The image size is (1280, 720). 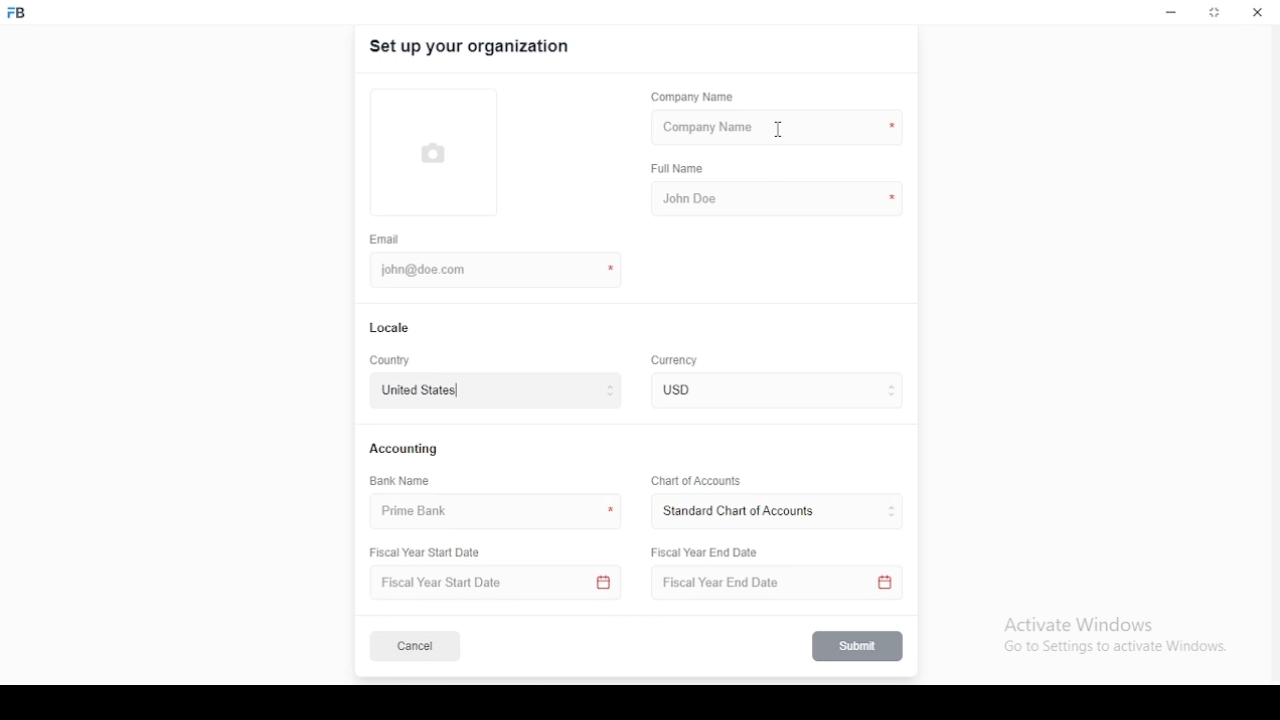 What do you see at coordinates (675, 361) in the screenshot?
I see `Currency` at bounding box center [675, 361].